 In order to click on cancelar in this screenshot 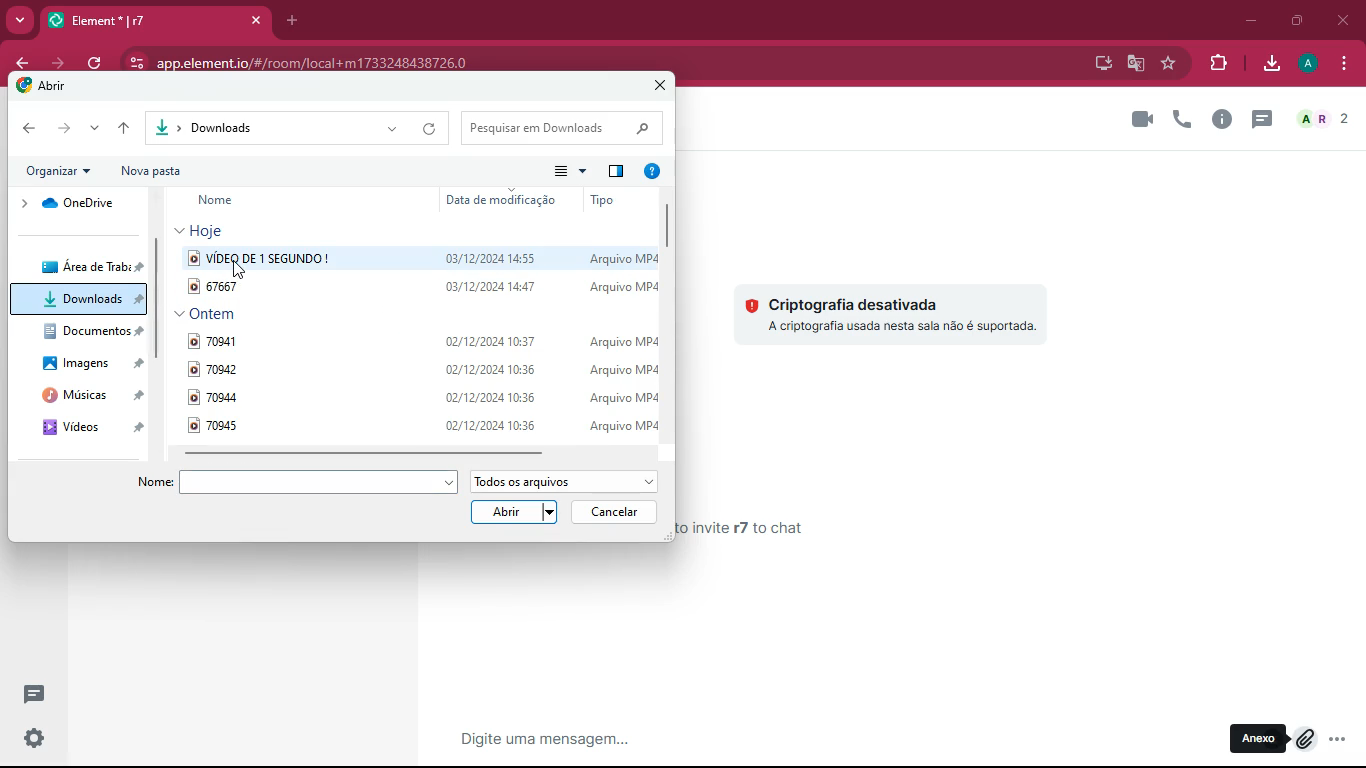, I will do `click(614, 509)`.